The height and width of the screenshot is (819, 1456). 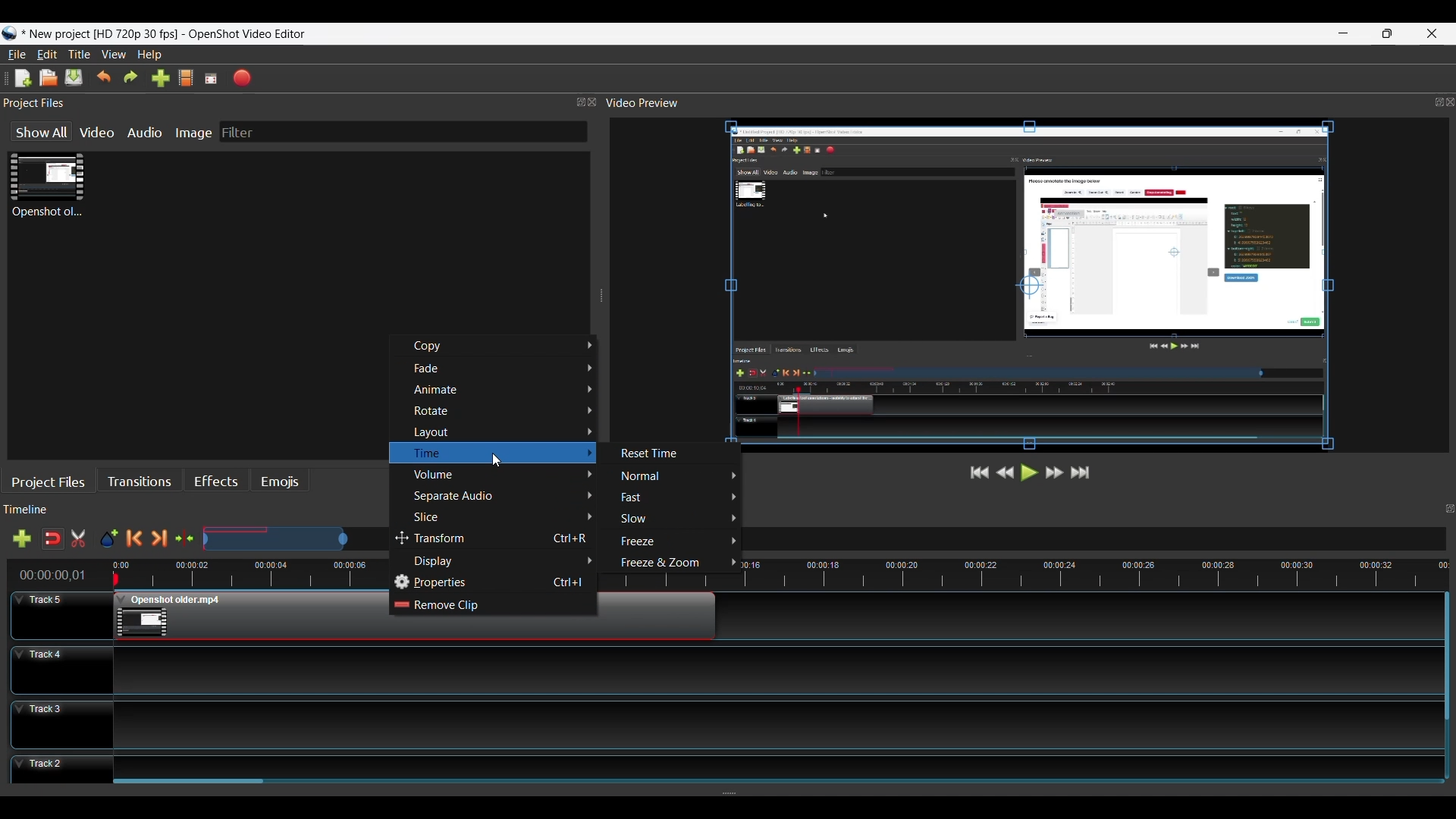 What do you see at coordinates (501, 518) in the screenshot?
I see `Slice` at bounding box center [501, 518].